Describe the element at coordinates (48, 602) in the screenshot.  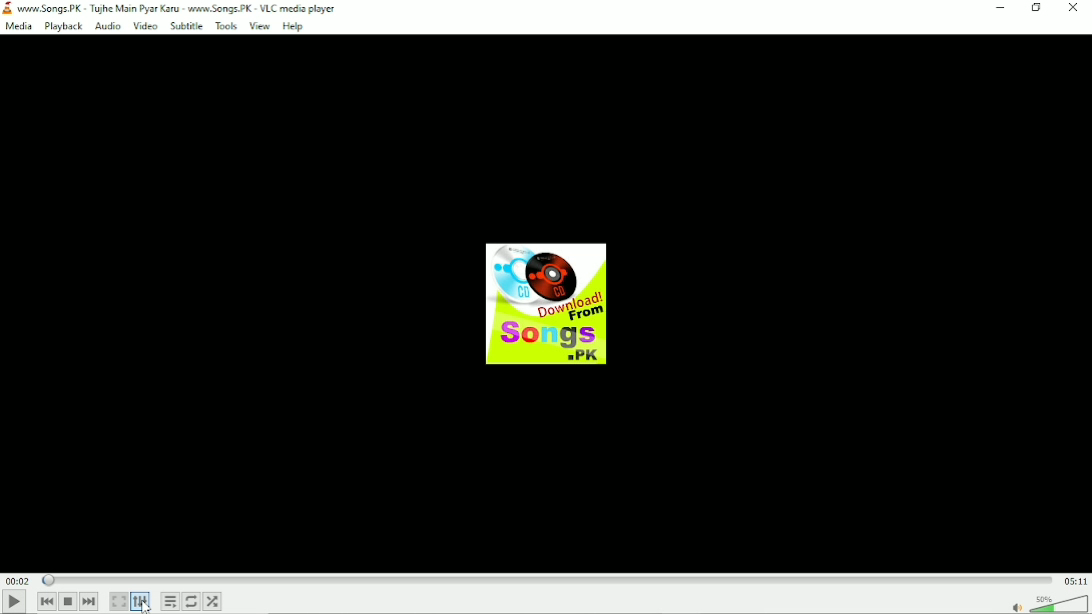
I see `Previous` at that location.